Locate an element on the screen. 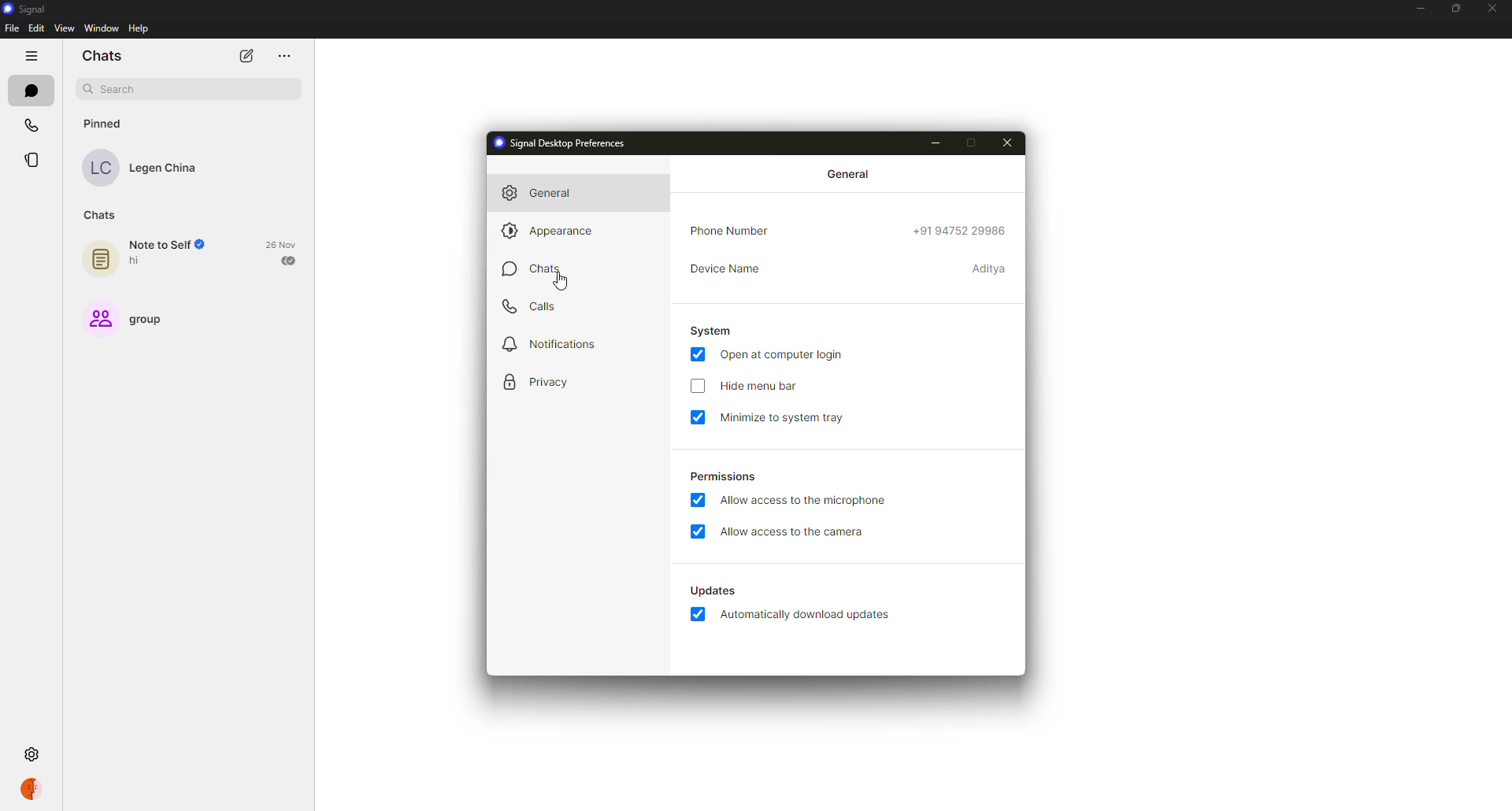  chats is located at coordinates (30, 91).